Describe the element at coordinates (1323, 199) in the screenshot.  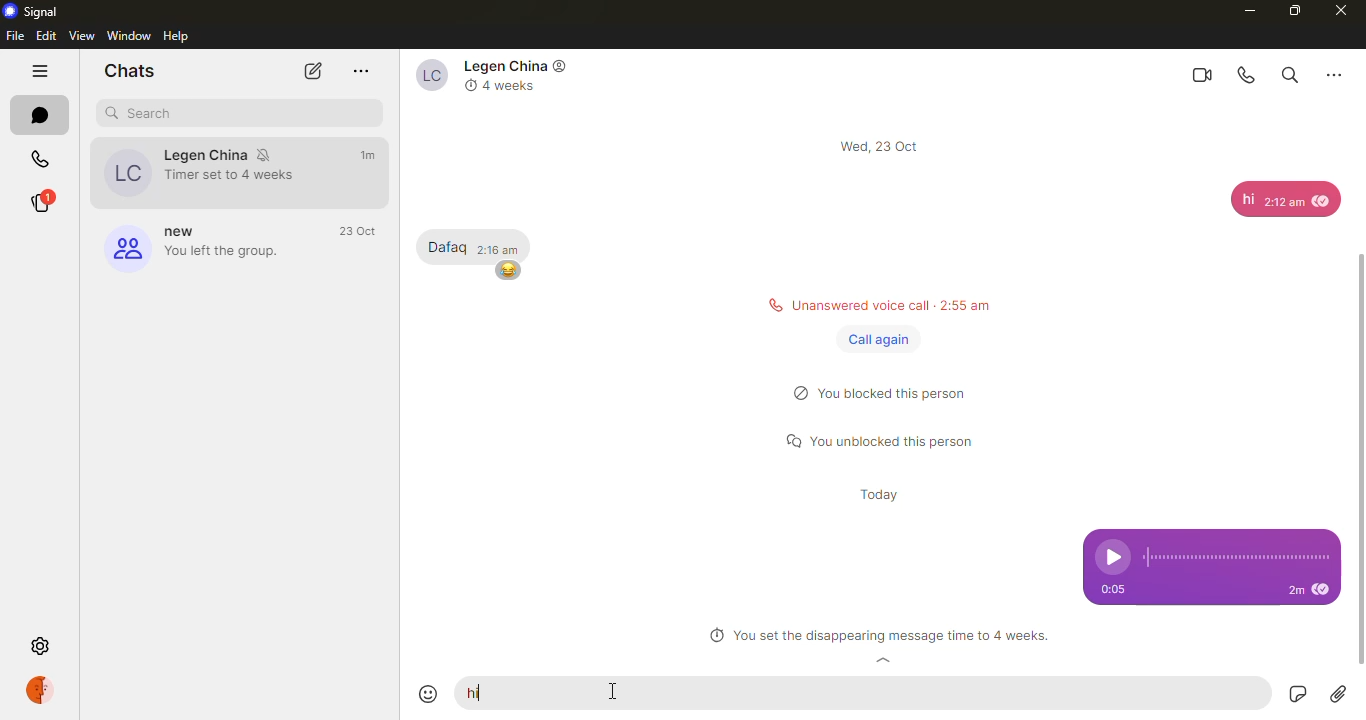
I see `seen` at that location.